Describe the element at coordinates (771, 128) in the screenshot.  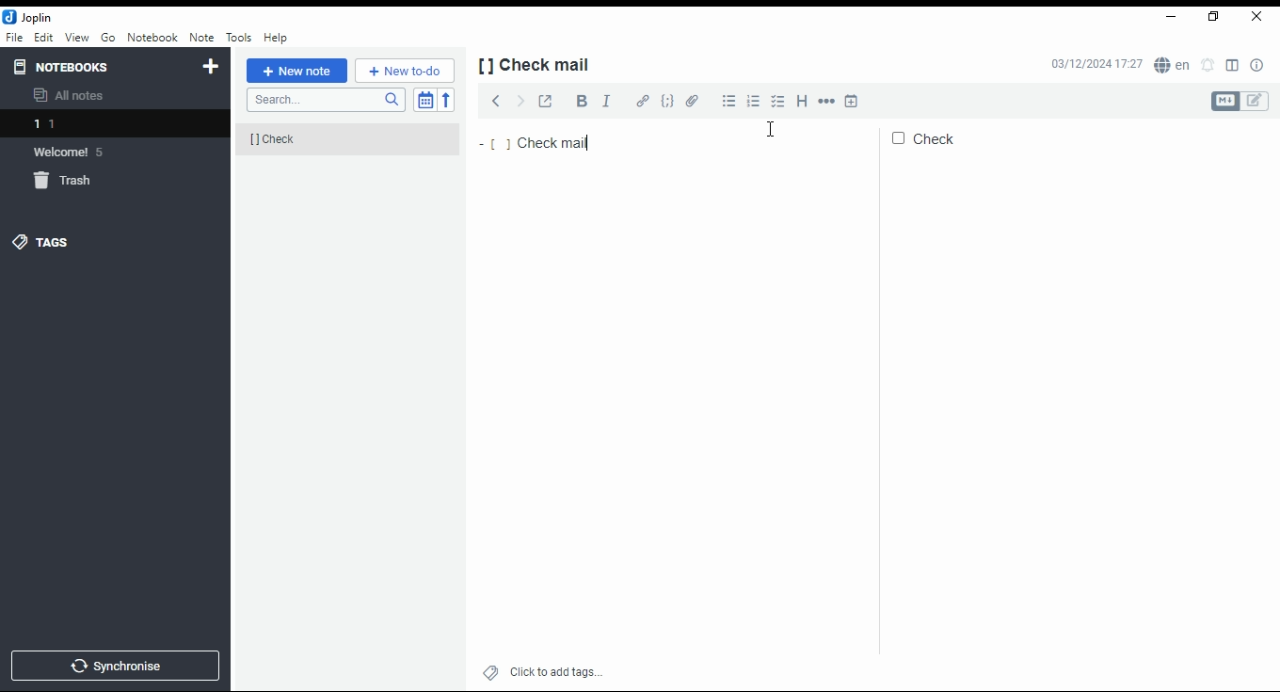
I see `mouse pointer` at that location.